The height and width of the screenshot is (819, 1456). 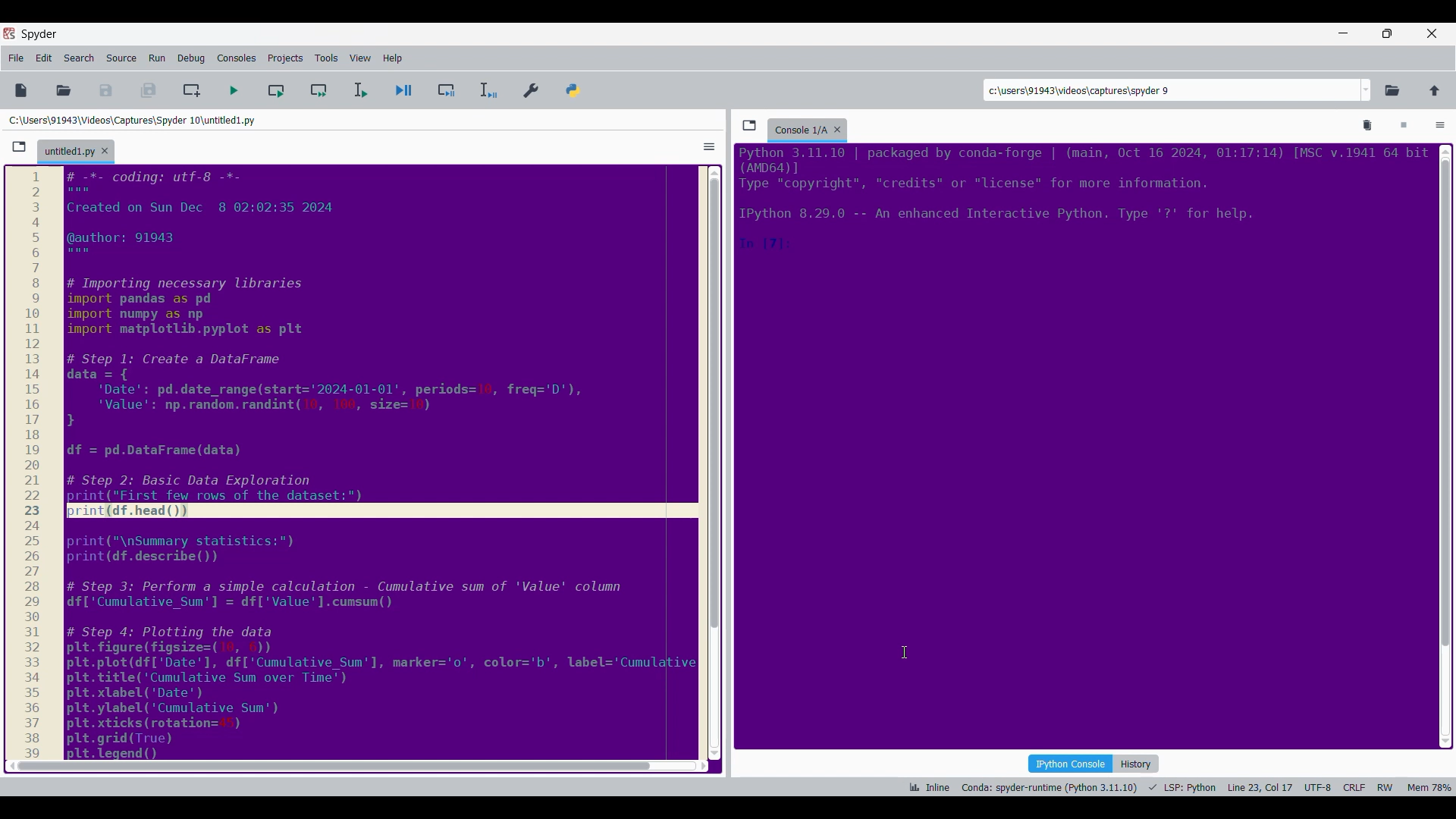 I want to click on IPython console, so click(x=1070, y=763).